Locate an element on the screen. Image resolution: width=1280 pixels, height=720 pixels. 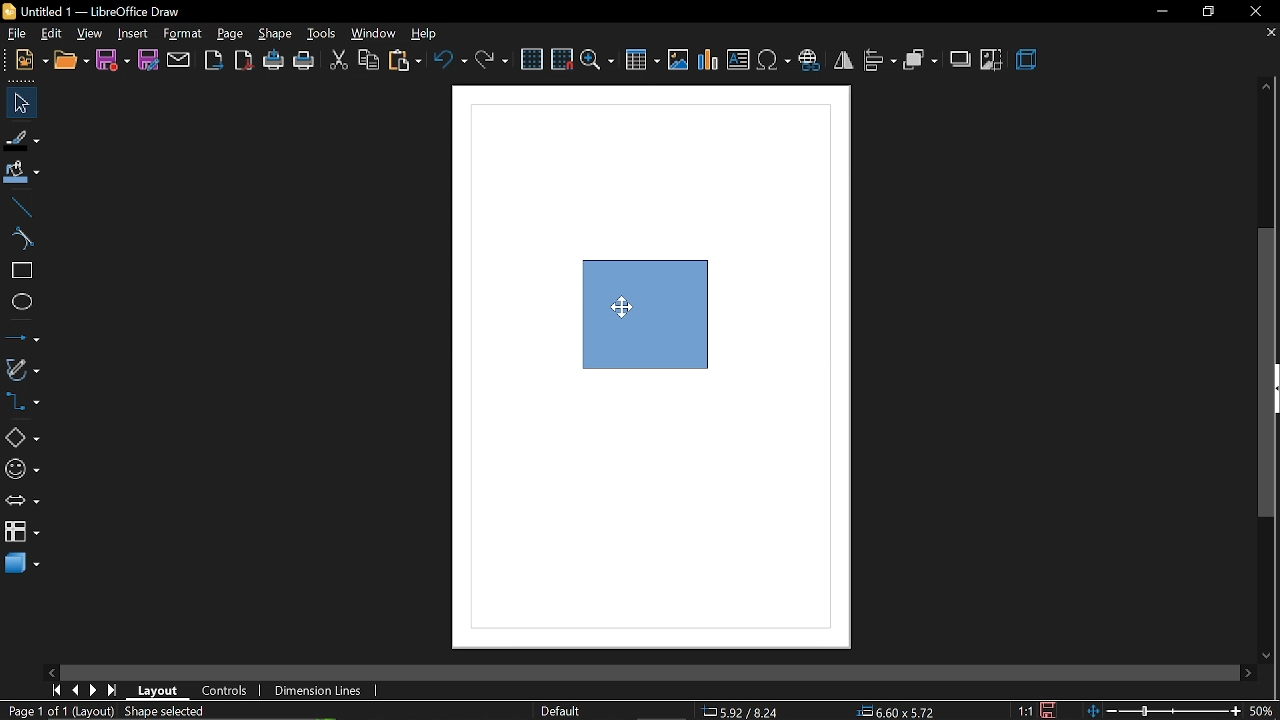
view is located at coordinates (90, 34).